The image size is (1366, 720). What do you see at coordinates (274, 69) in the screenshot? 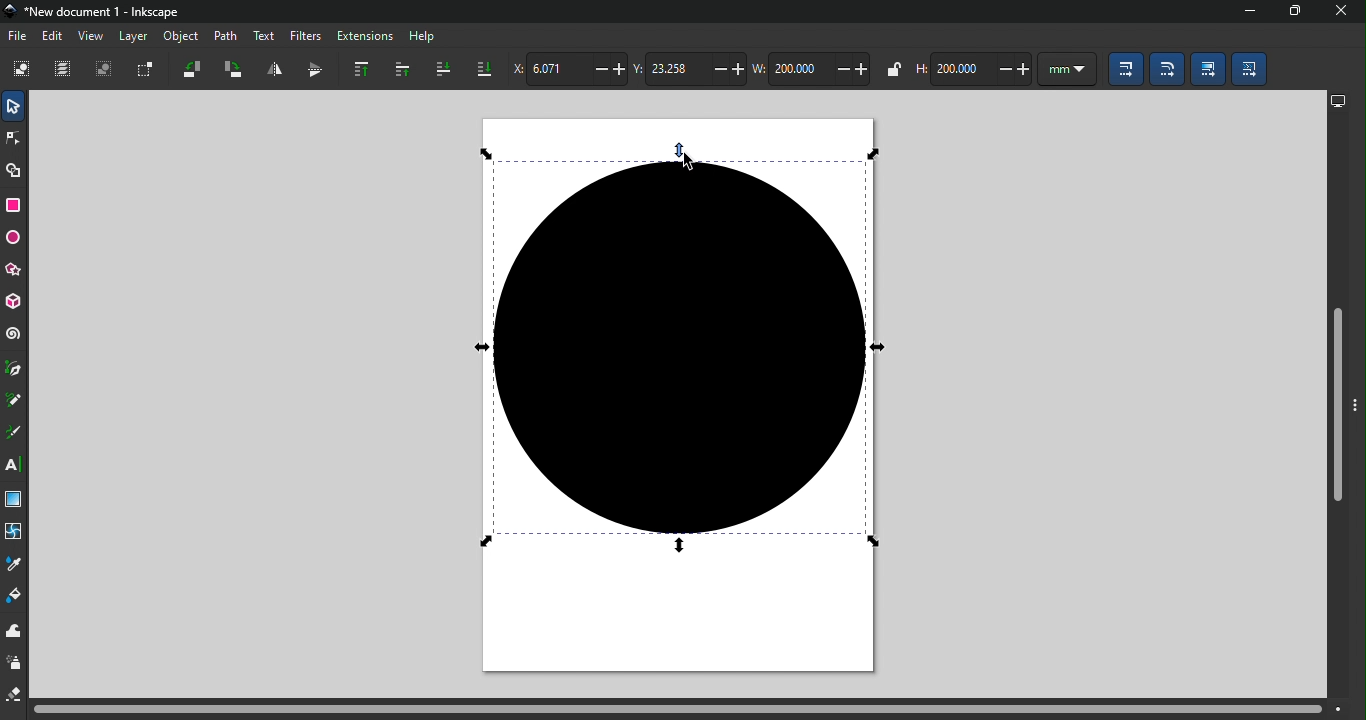
I see `Object flip horizontal` at bounding box center [274, 69].